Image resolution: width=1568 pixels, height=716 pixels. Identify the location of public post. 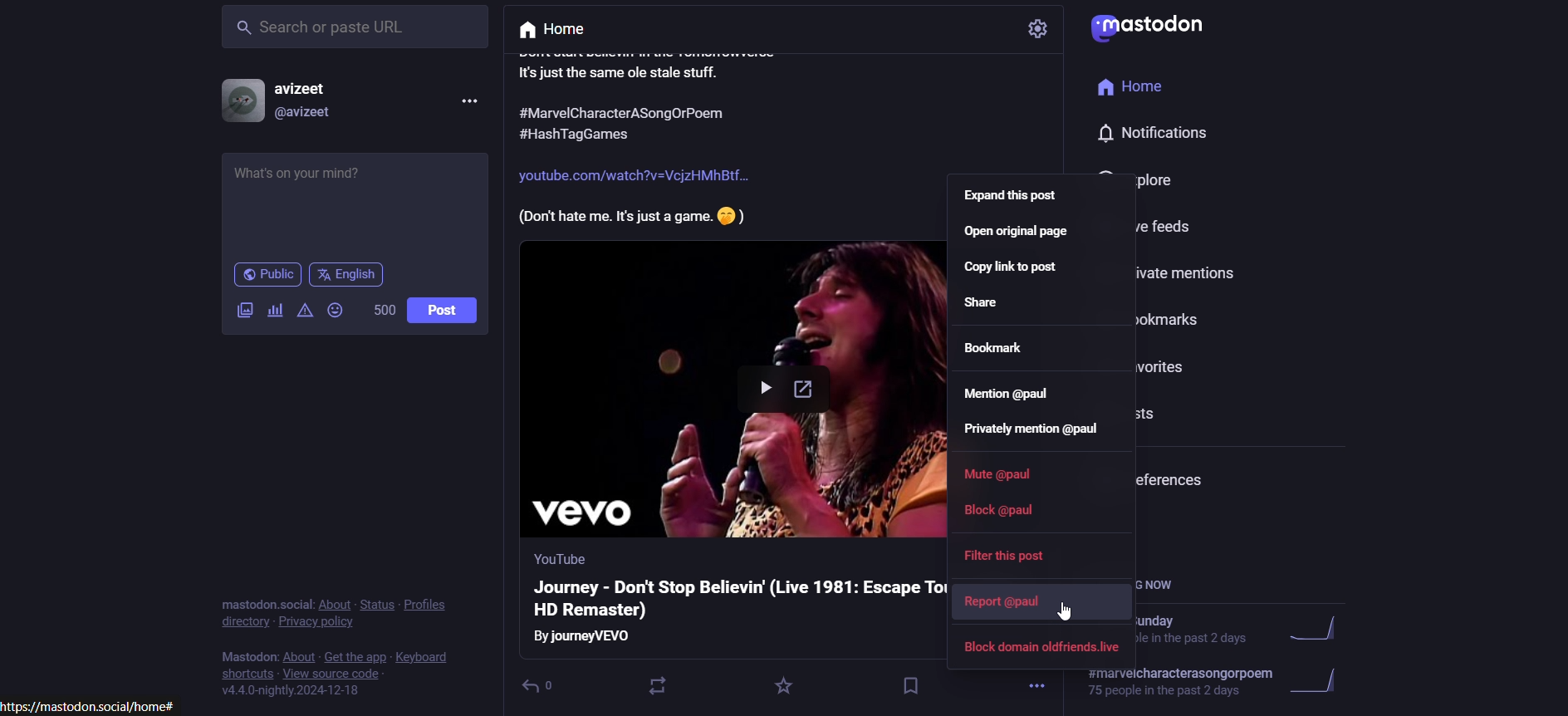
(266, 276).